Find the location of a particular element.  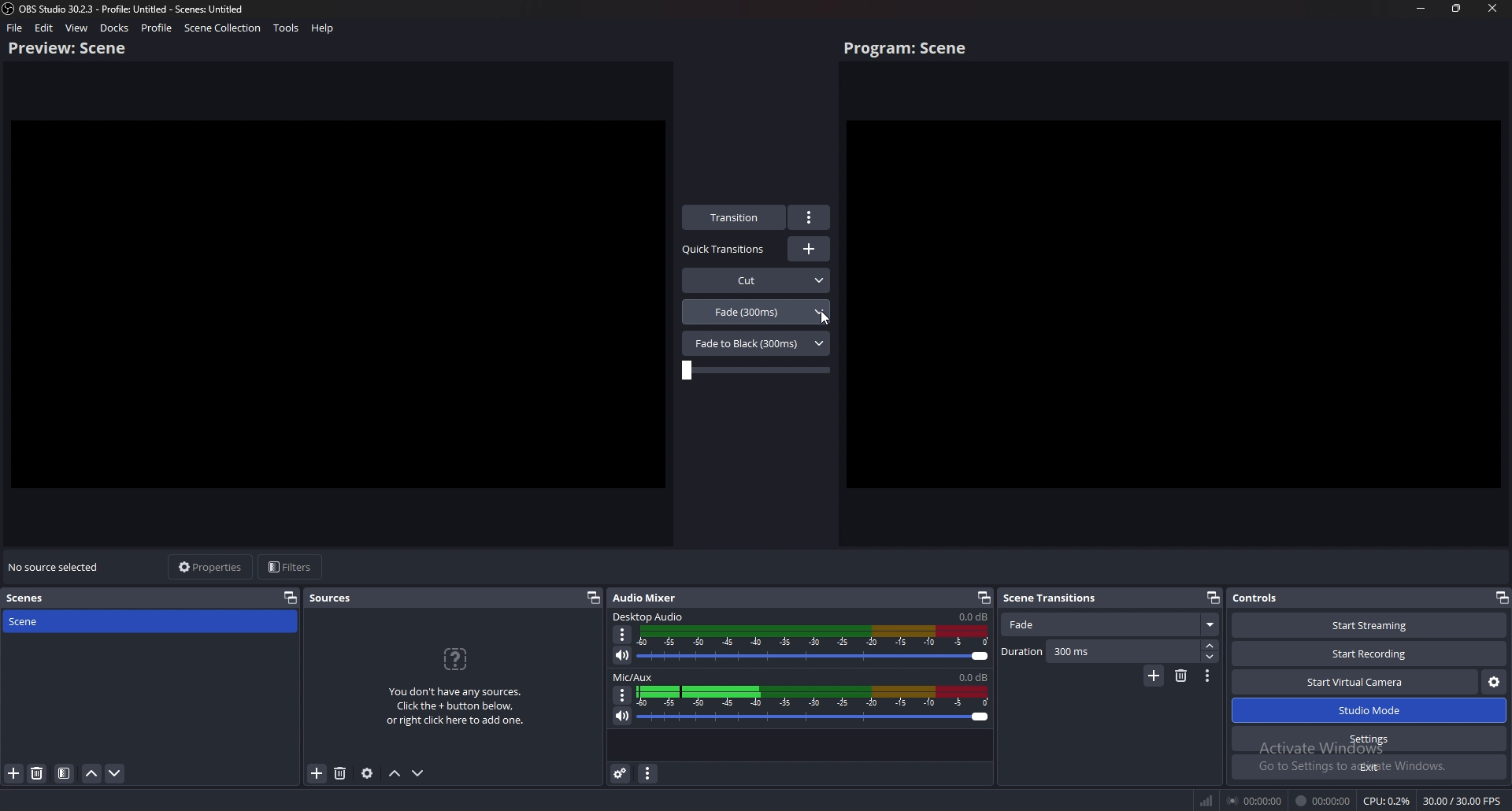

Add scene transitions is located at coordinates (1153, 676).